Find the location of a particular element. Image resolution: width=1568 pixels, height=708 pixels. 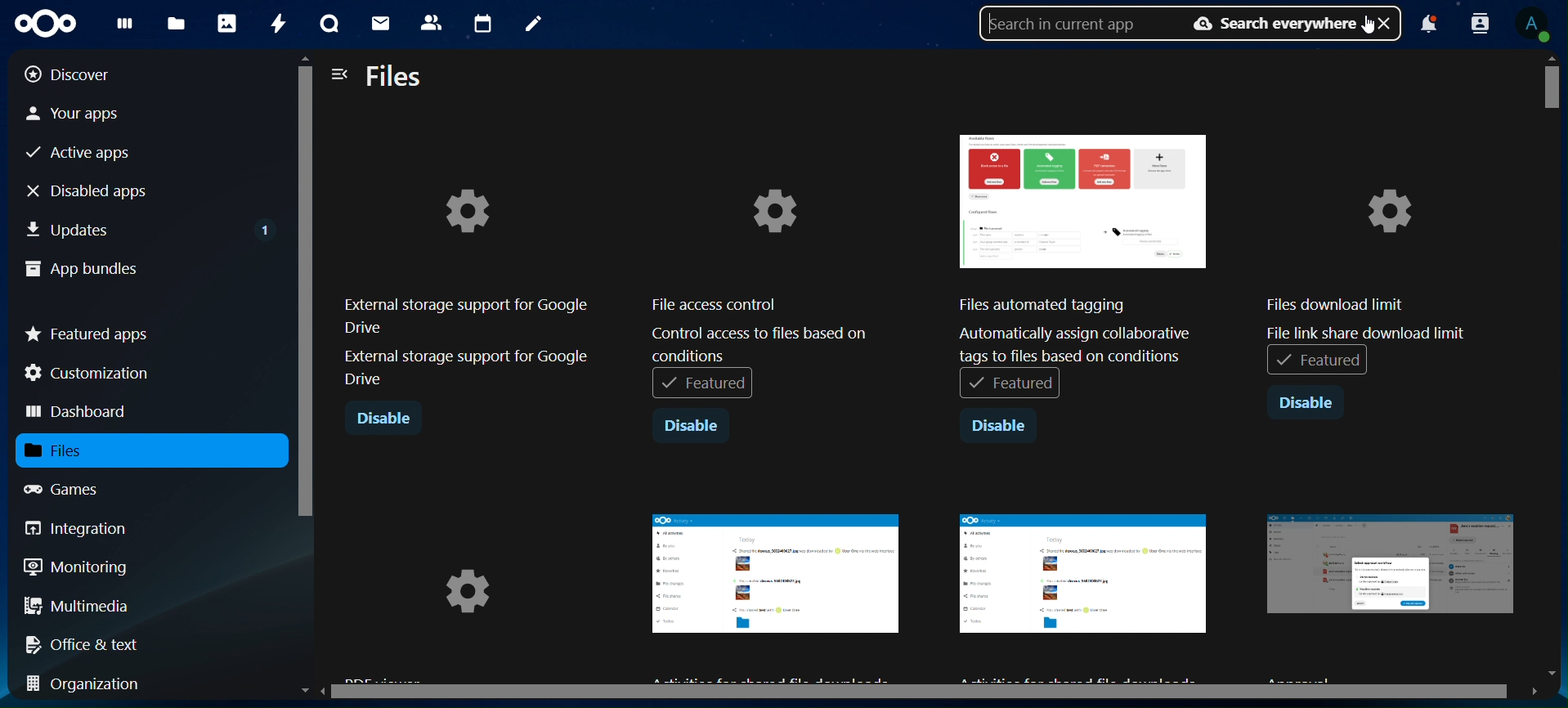

image is located at coordinates (1084, 594).